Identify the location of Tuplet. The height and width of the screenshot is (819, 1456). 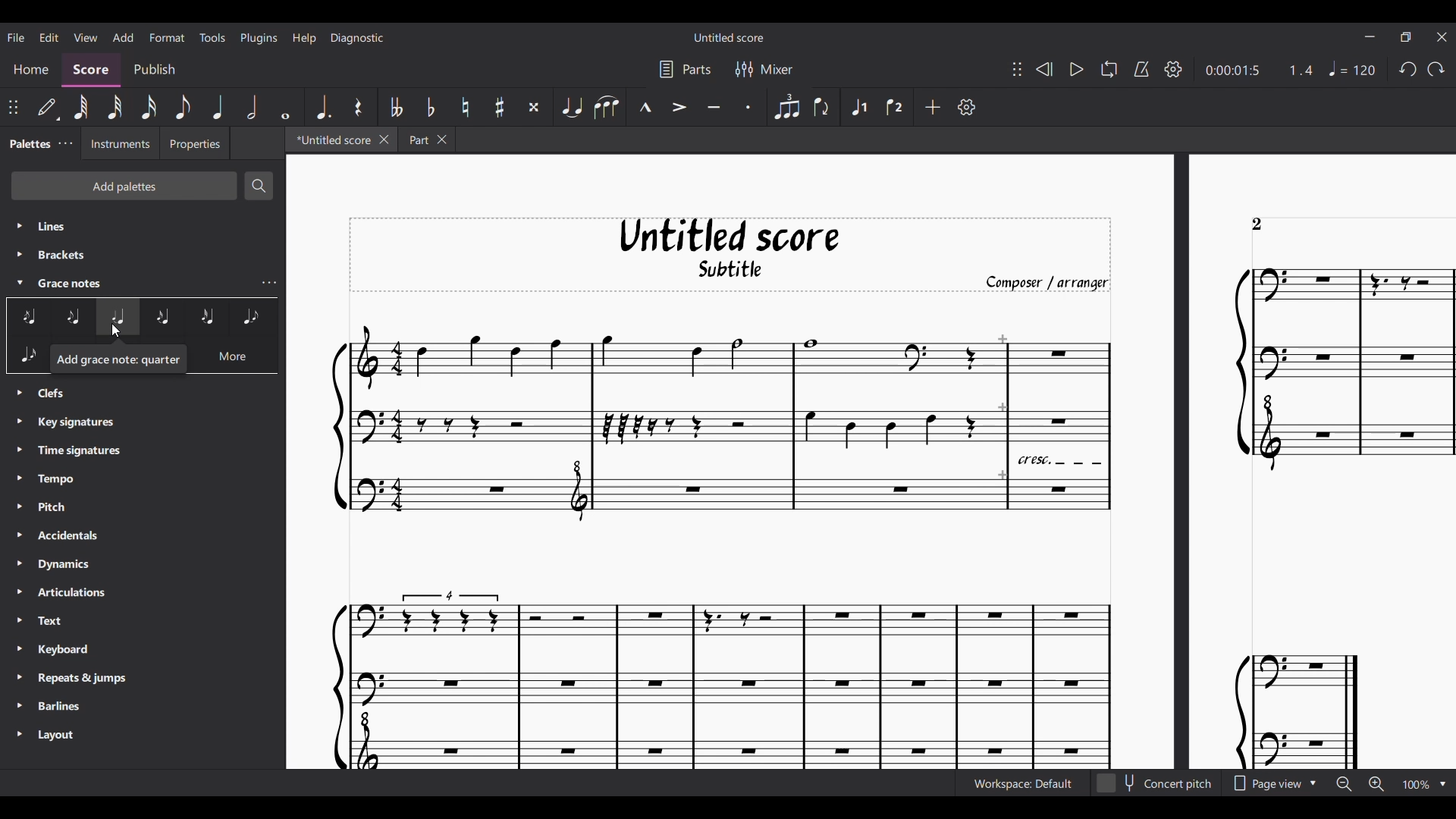
(786, 107).